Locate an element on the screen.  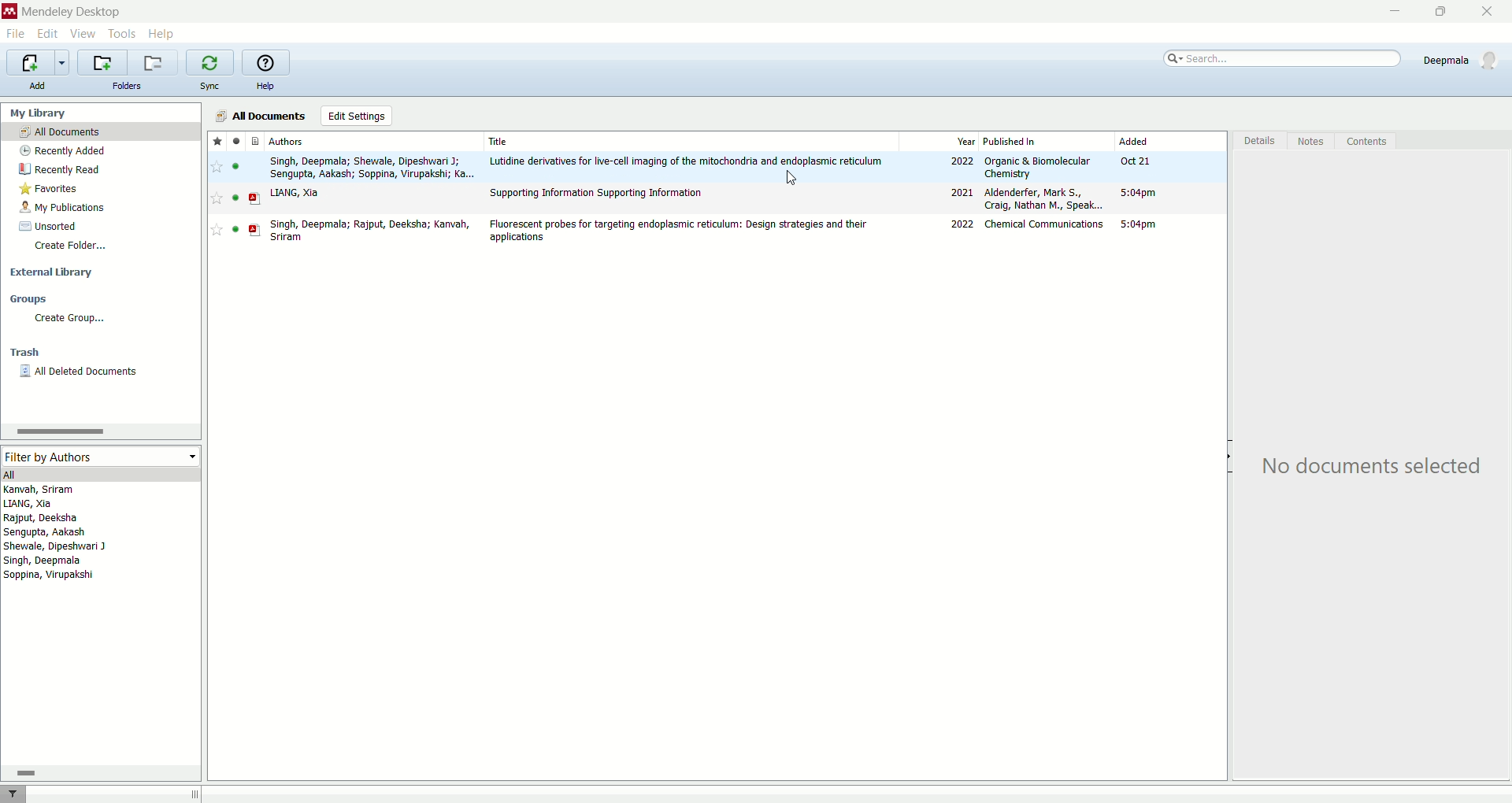
trash is located at coordinates (25, 353).